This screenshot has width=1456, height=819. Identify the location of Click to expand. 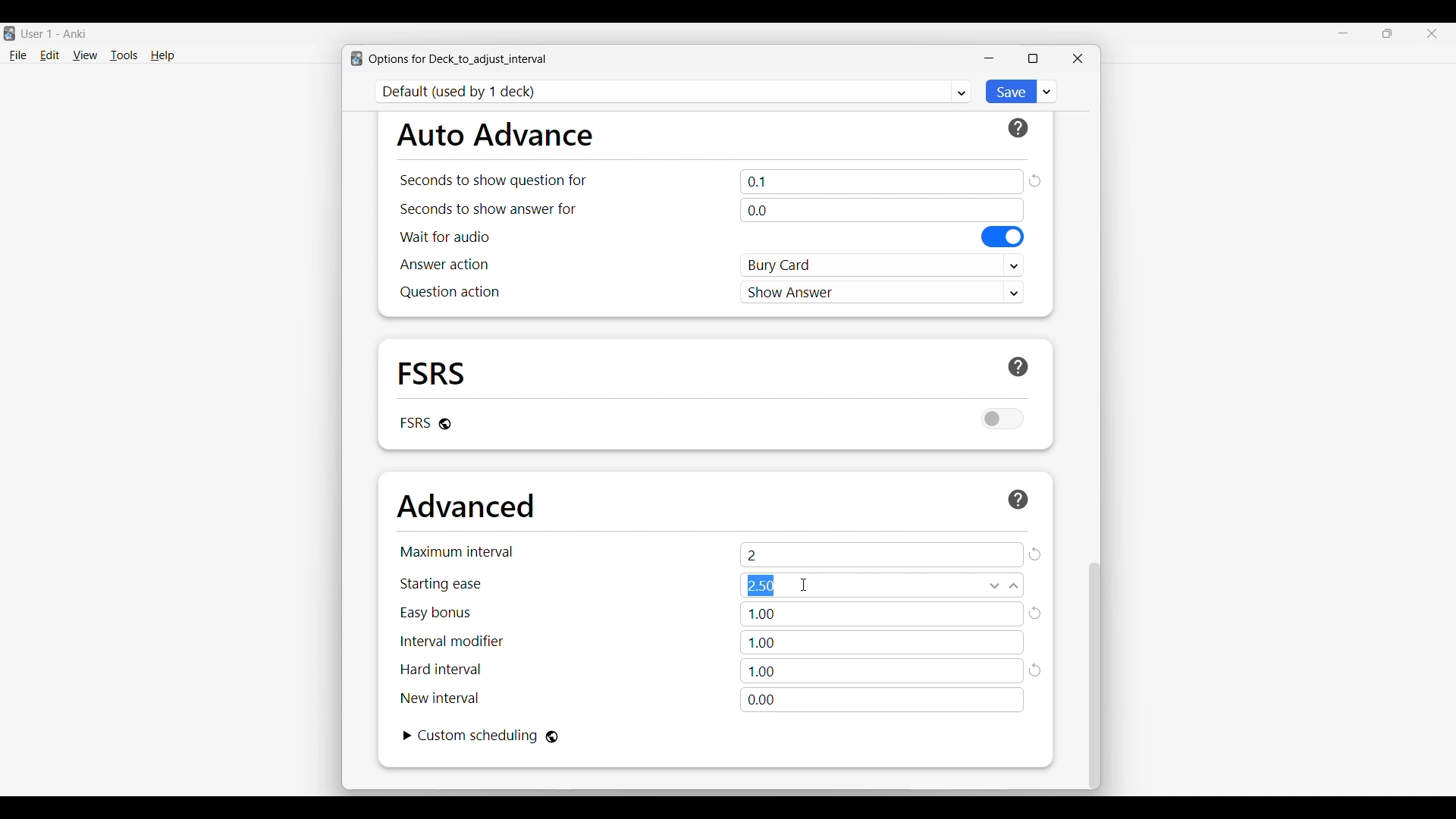
(408, 736).